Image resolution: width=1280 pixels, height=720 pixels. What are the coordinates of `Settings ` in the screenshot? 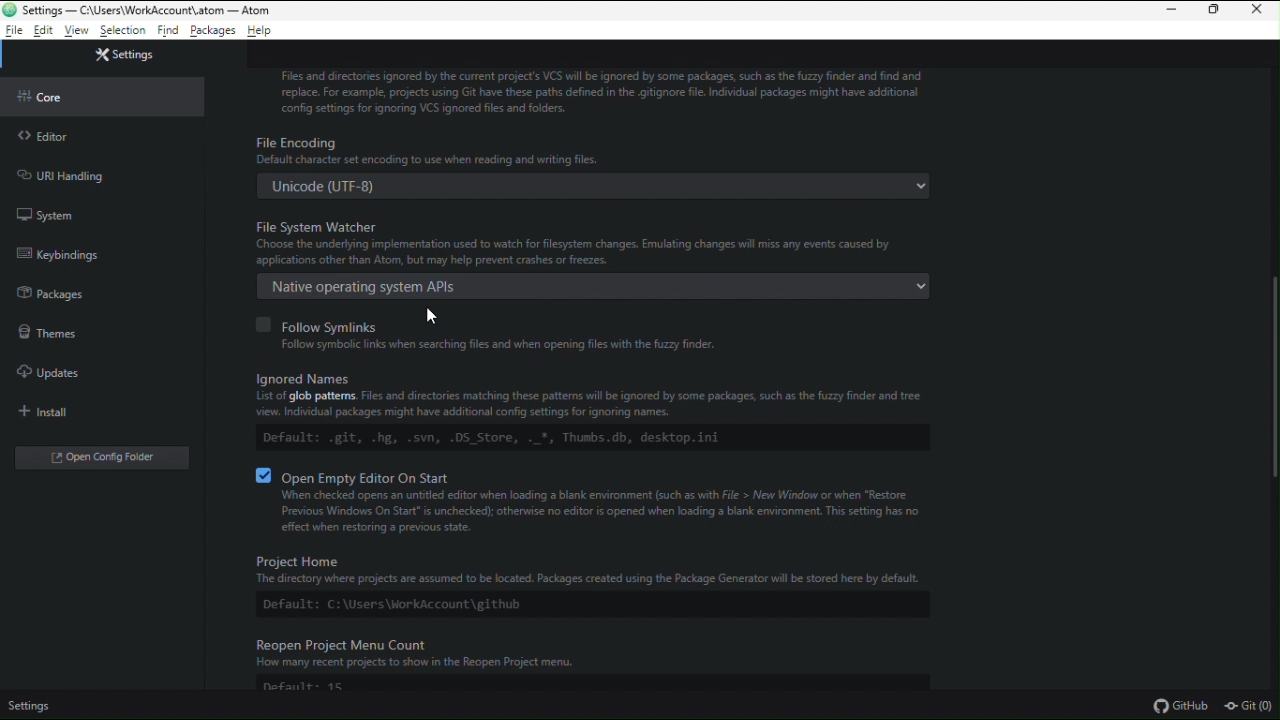 It's located at (30, 708).